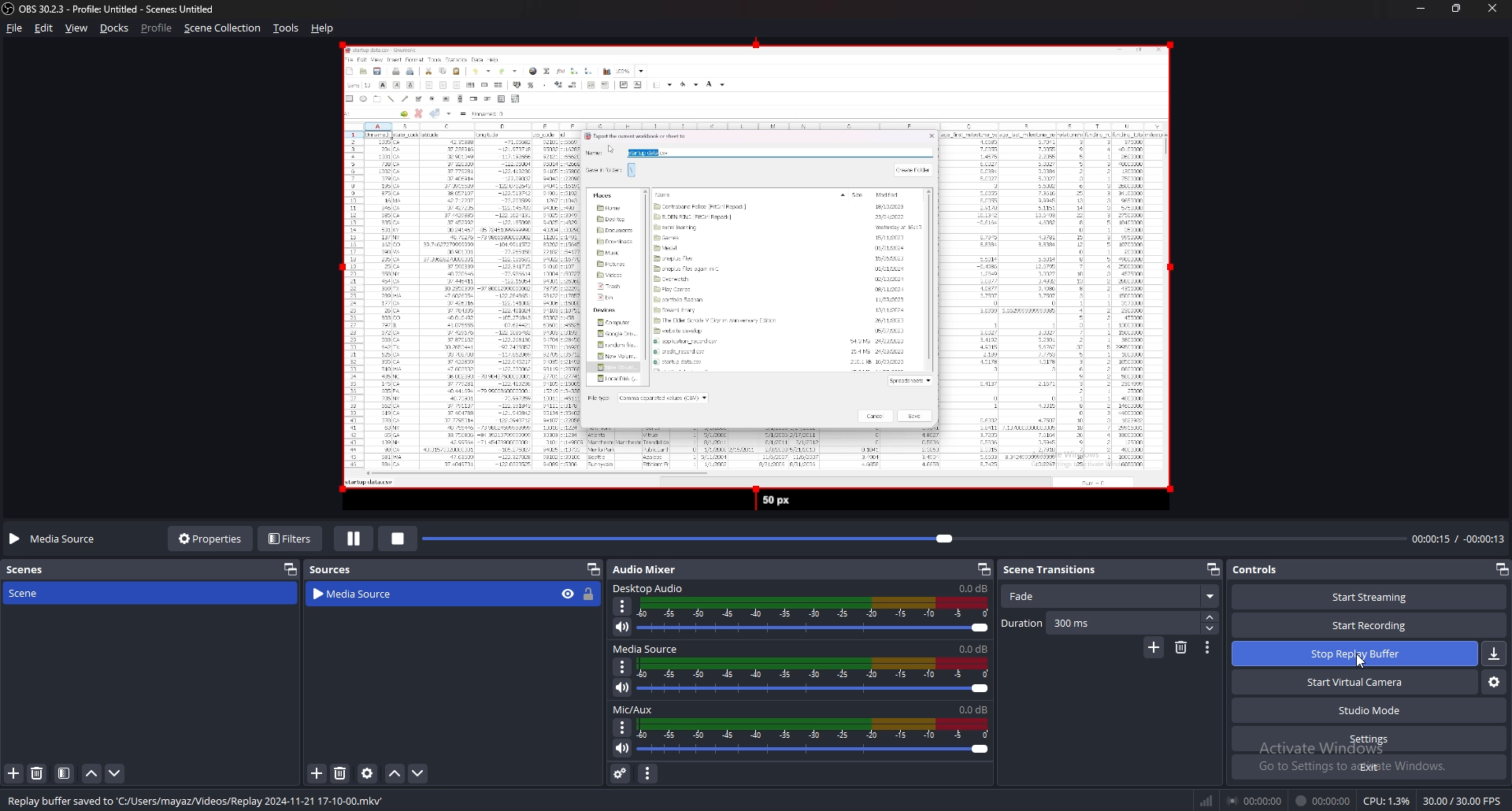 The height and width of the screenshot is (811, 1512). I want to click on media source, so click(648, 649).